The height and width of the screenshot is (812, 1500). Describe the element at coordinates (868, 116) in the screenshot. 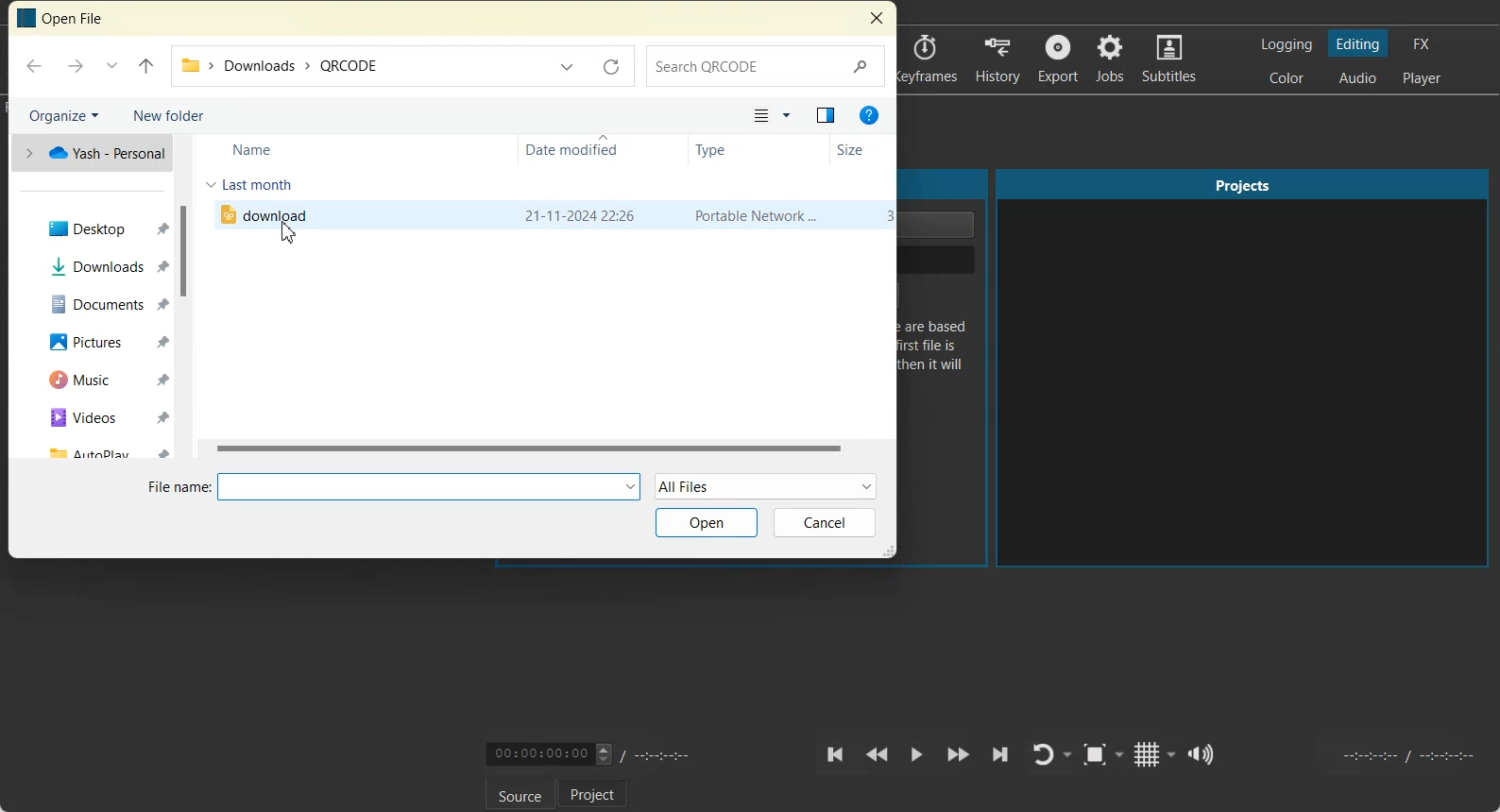

I see `Get Help` at that location.